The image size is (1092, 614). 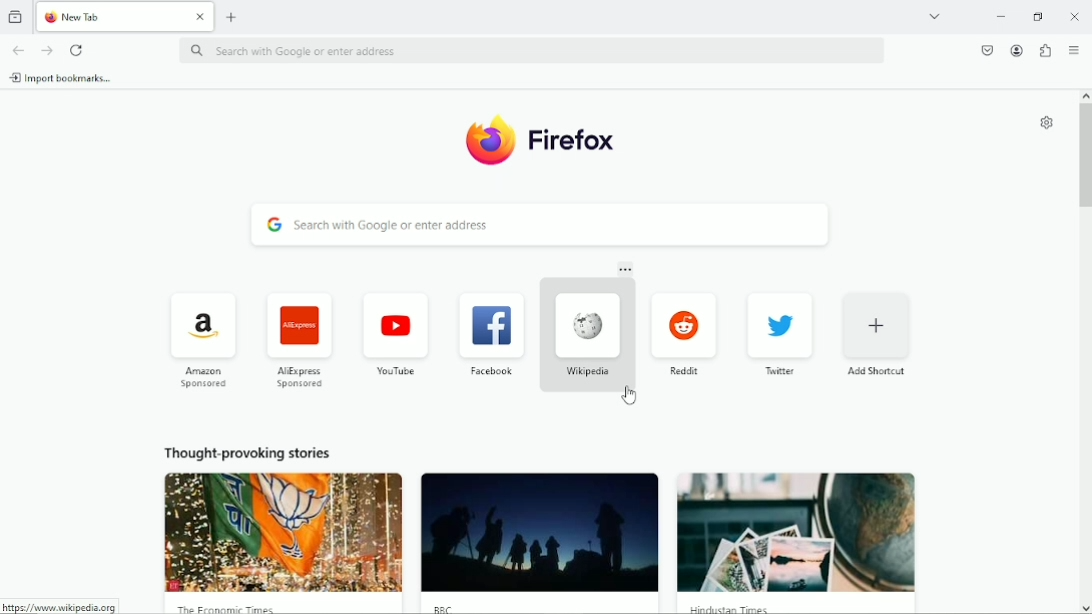 I want to click on account, so click(x=1014, y=50).